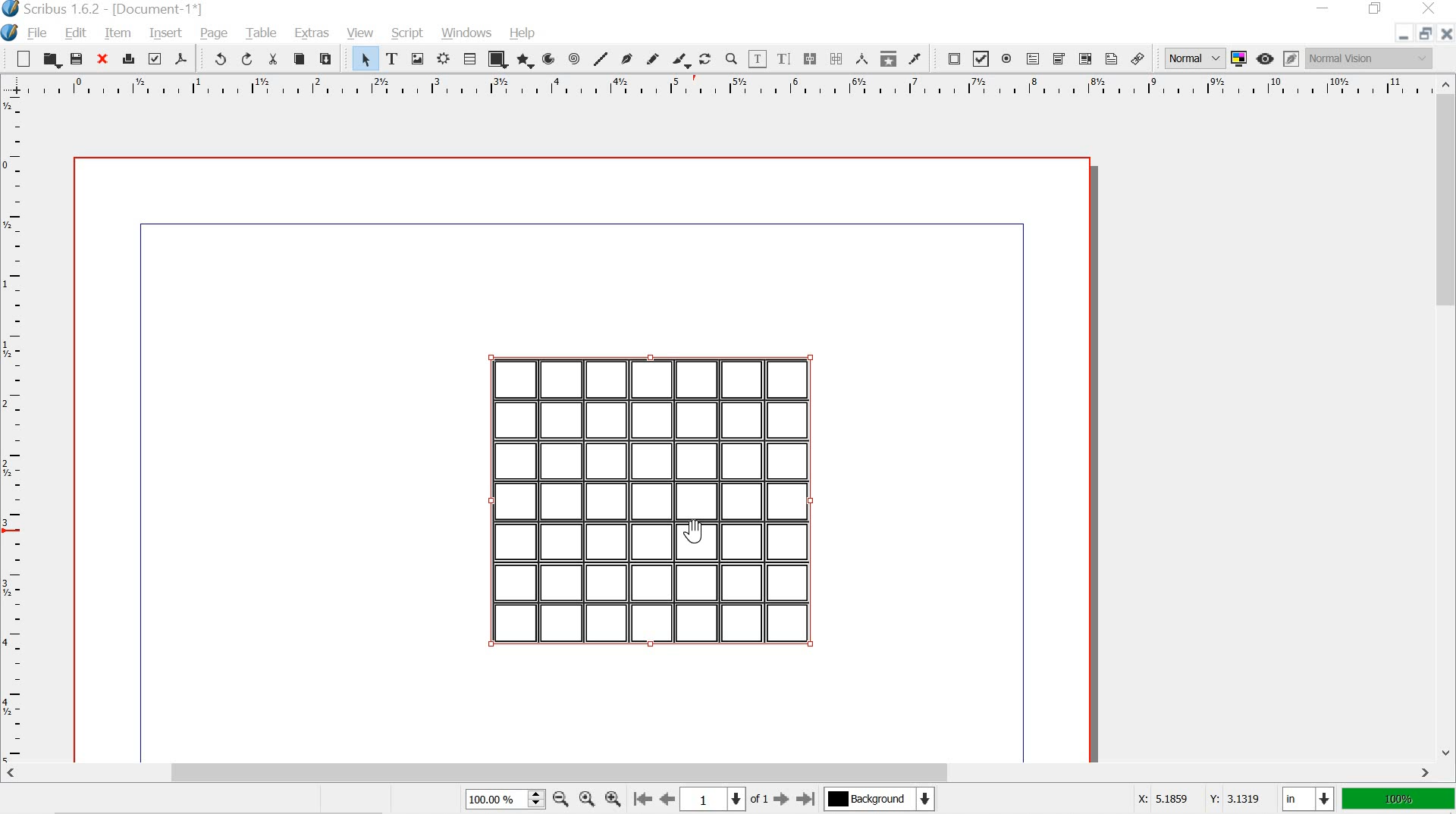  I want to click on file, so click(36, 34).